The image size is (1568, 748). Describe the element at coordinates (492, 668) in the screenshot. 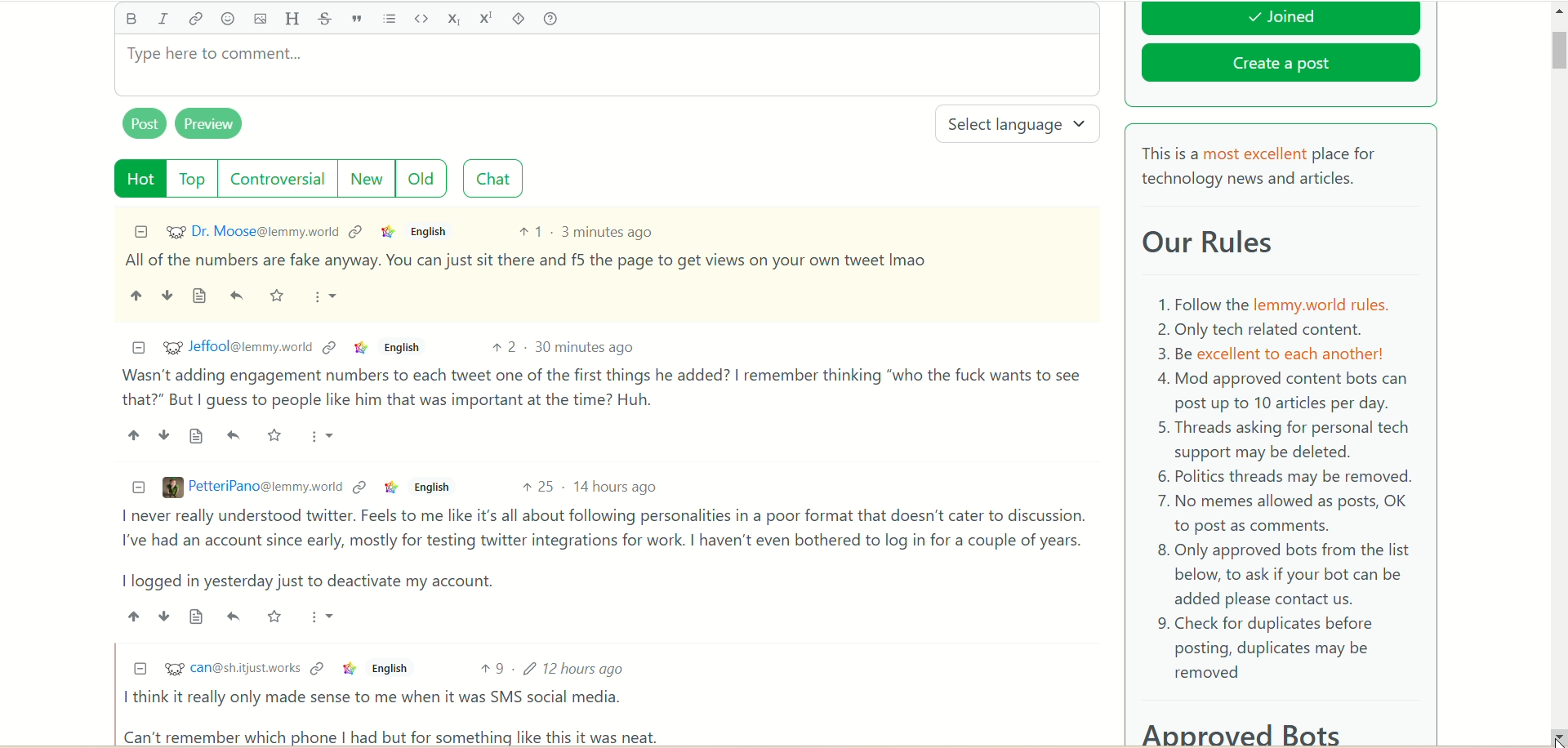

I see `Upvote 9` at that location.